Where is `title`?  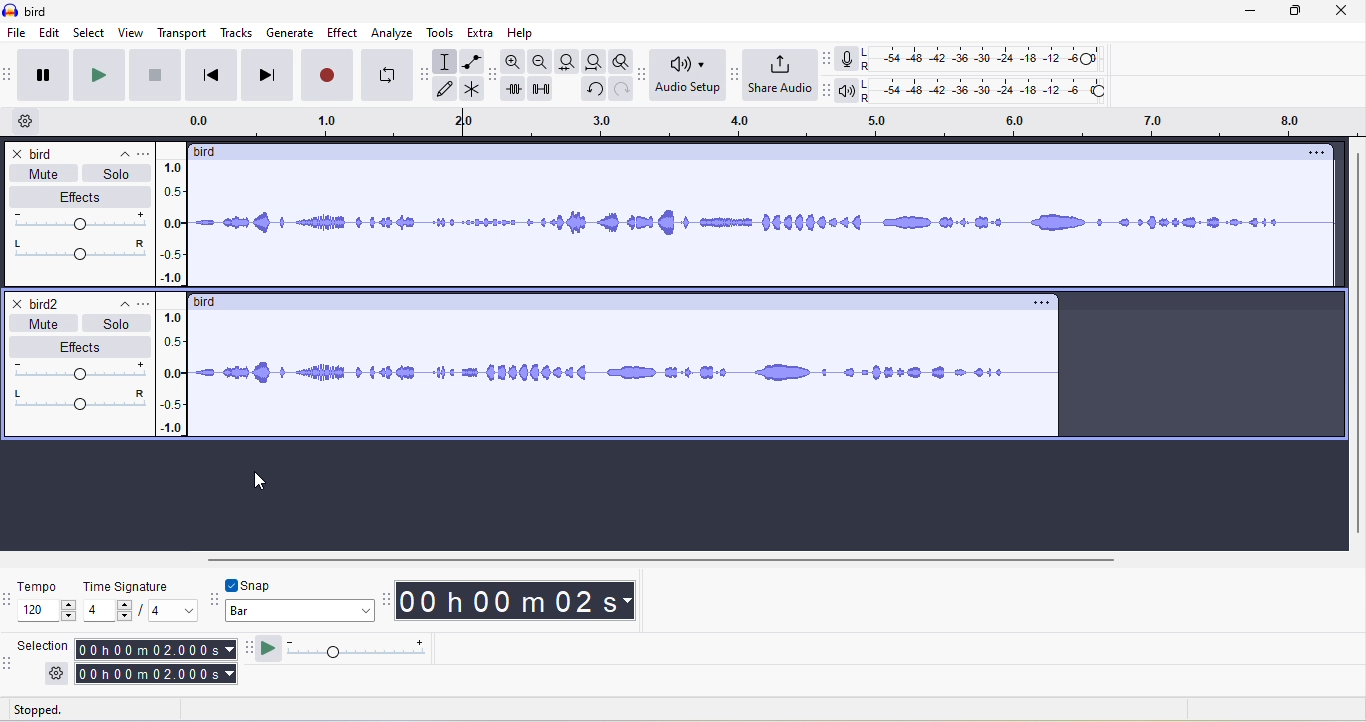
title is located at coordinates (40, 12).